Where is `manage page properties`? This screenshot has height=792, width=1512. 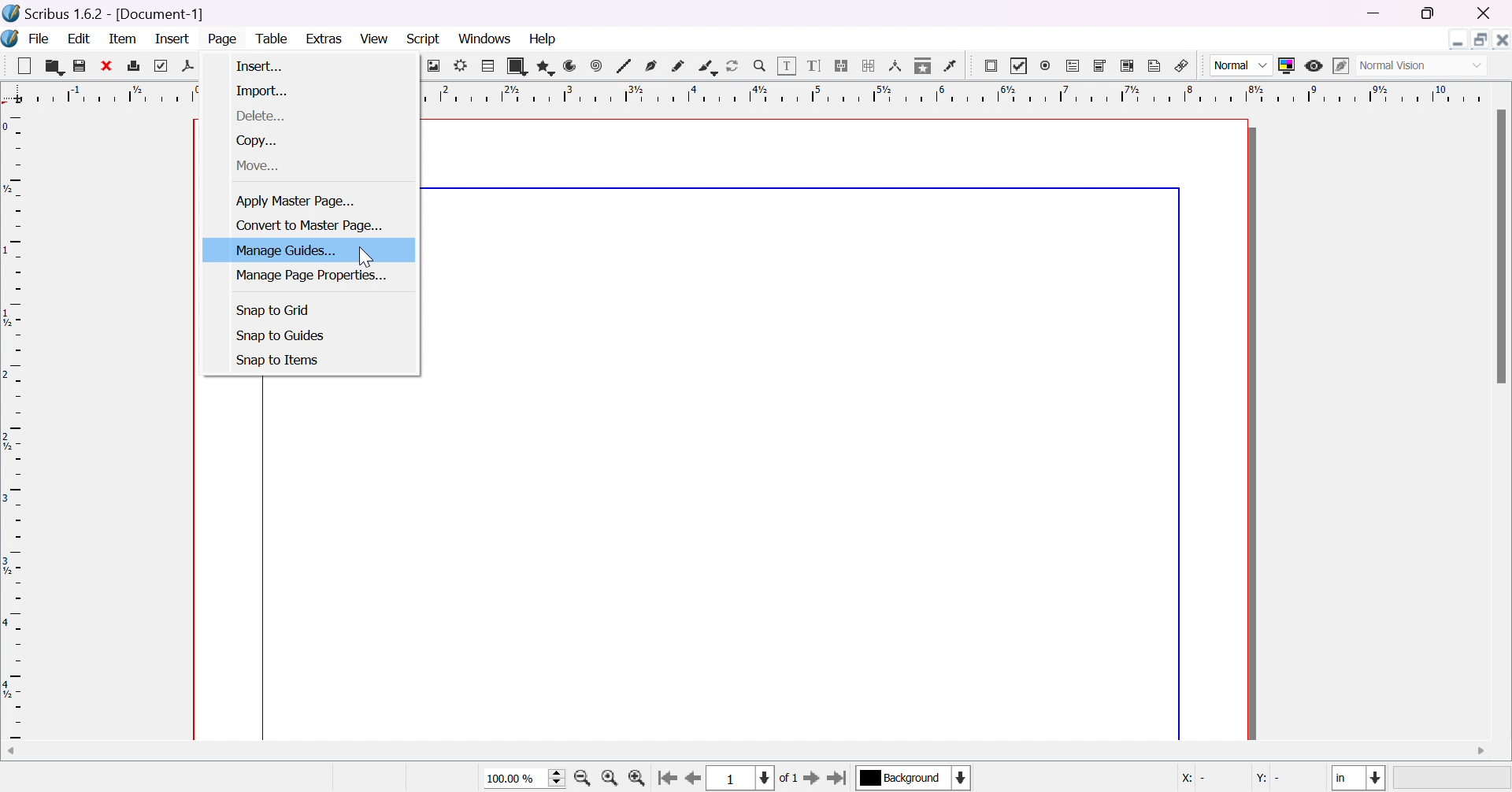
manage page properties is located at coordinates (311, 275).